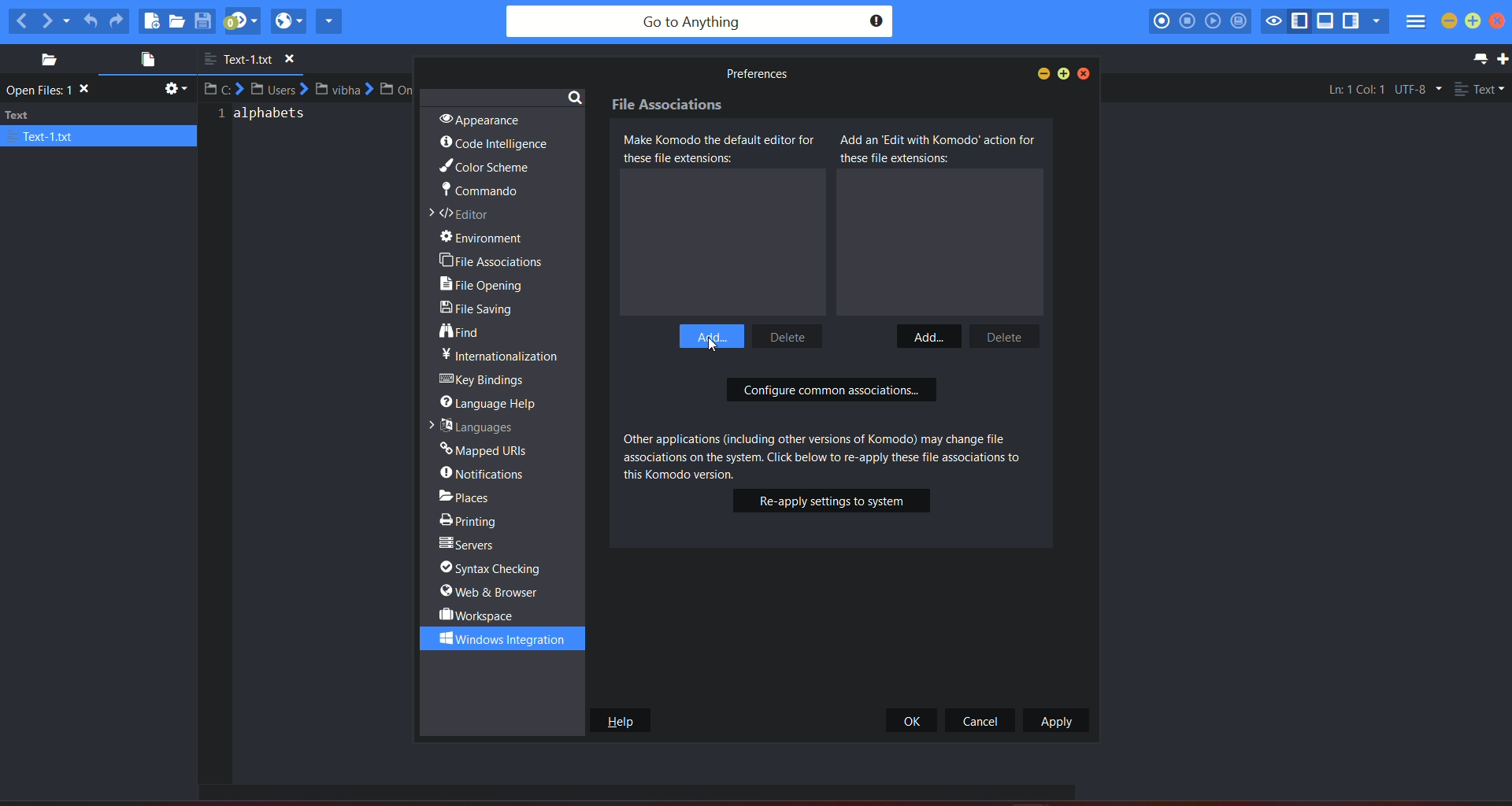  I want to click on editor, so click(464, 215).